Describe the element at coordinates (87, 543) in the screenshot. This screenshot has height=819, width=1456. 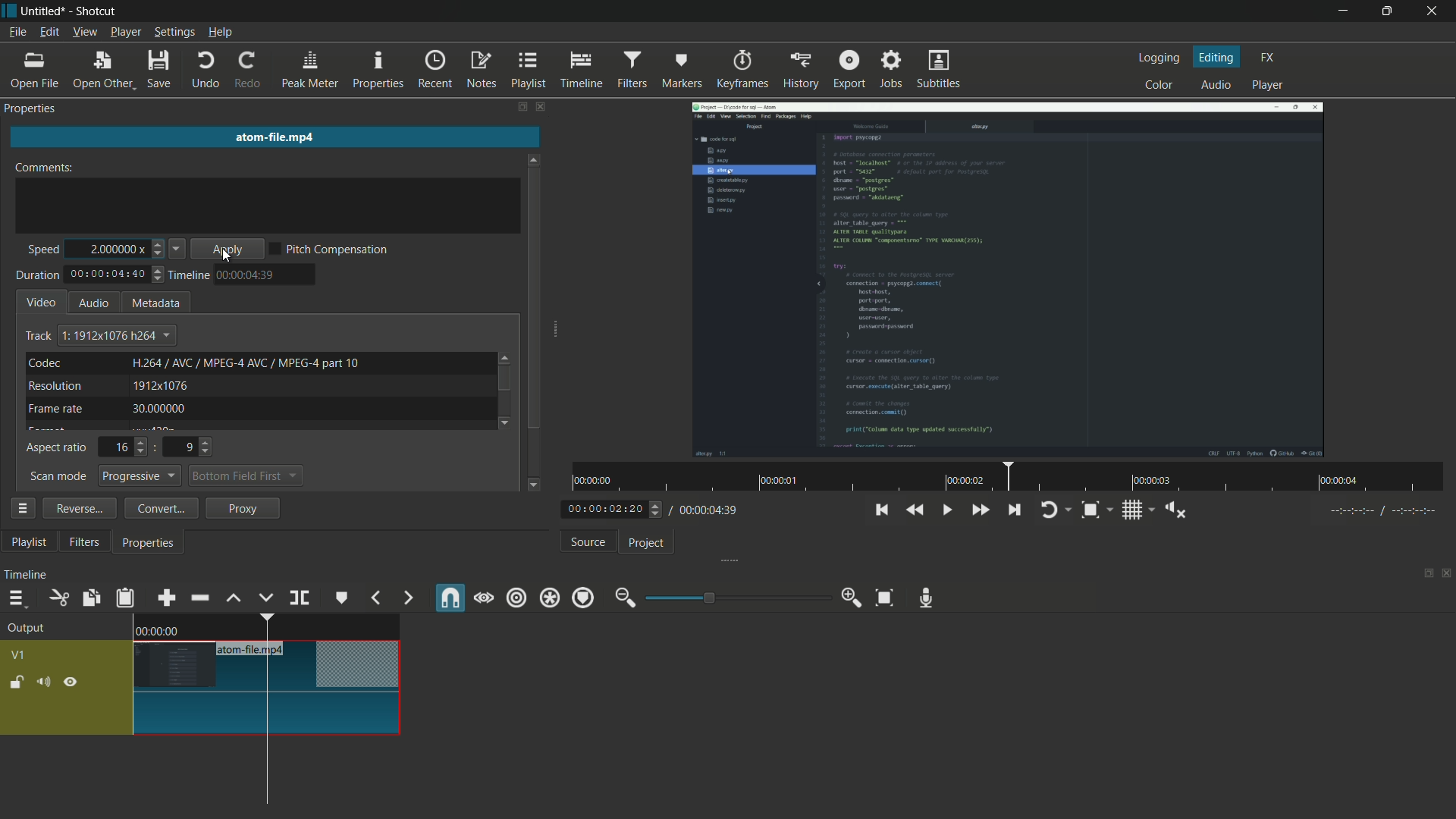
I see `filters` at that location.